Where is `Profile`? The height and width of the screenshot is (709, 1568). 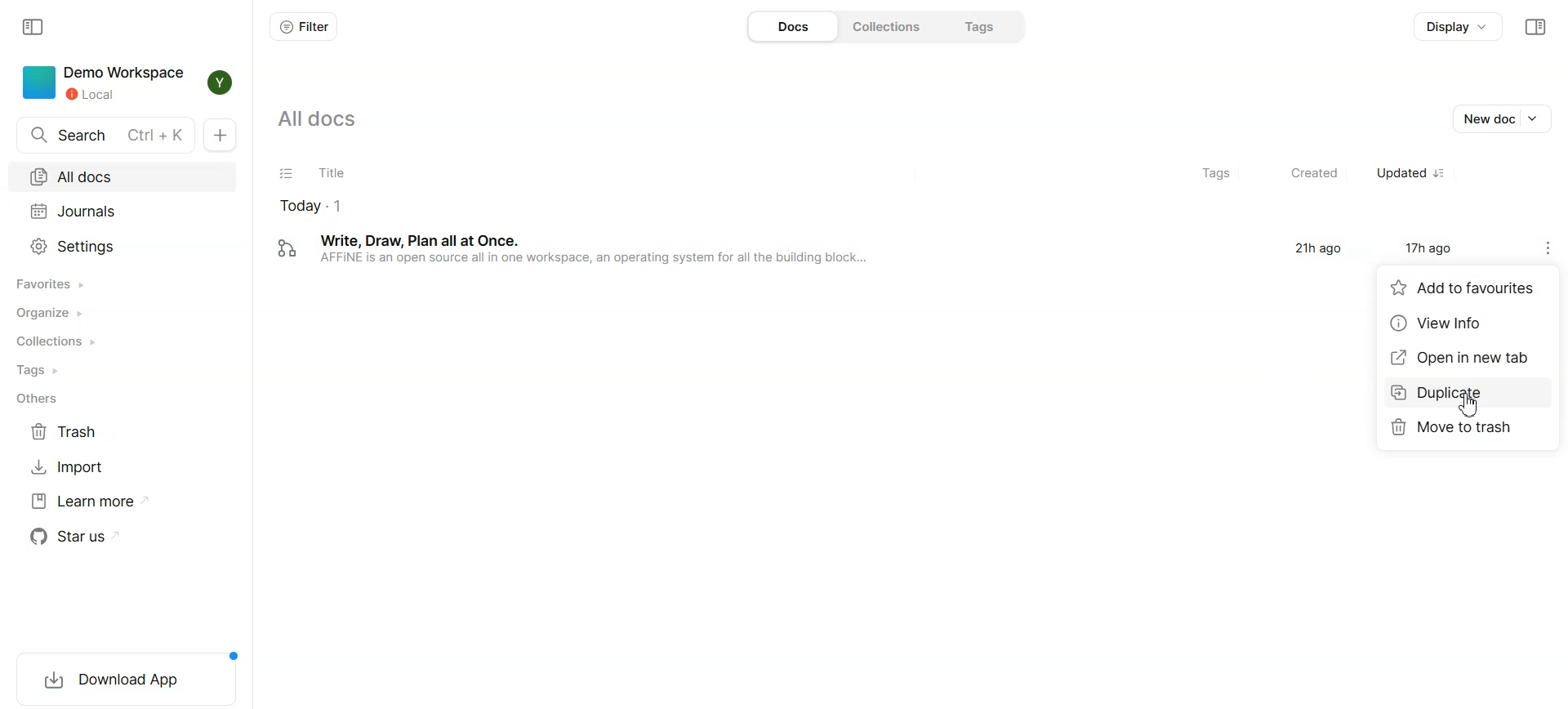 Profile is located at coordinates (221, 82).